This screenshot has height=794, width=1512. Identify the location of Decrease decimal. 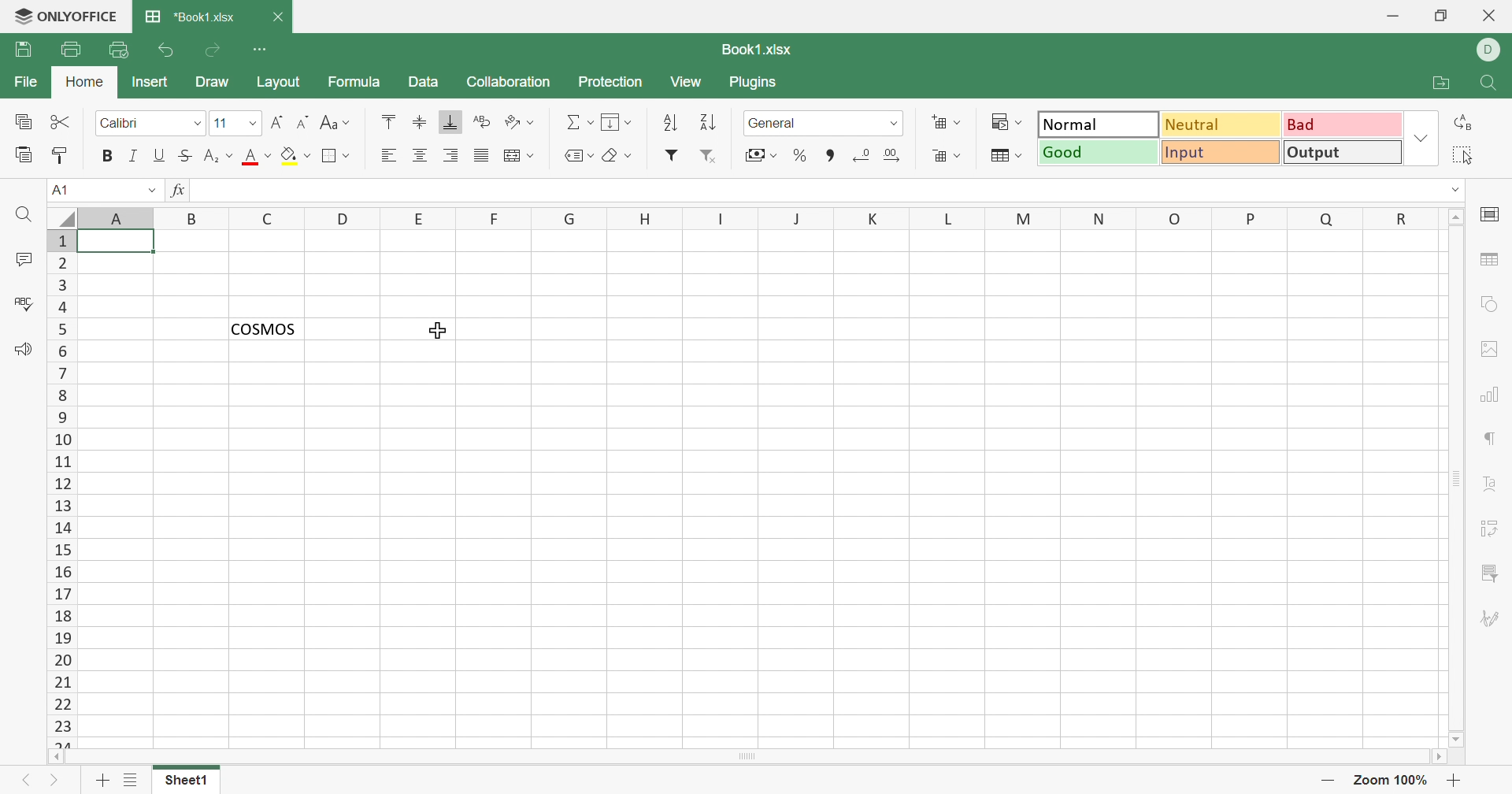
(863, 157).